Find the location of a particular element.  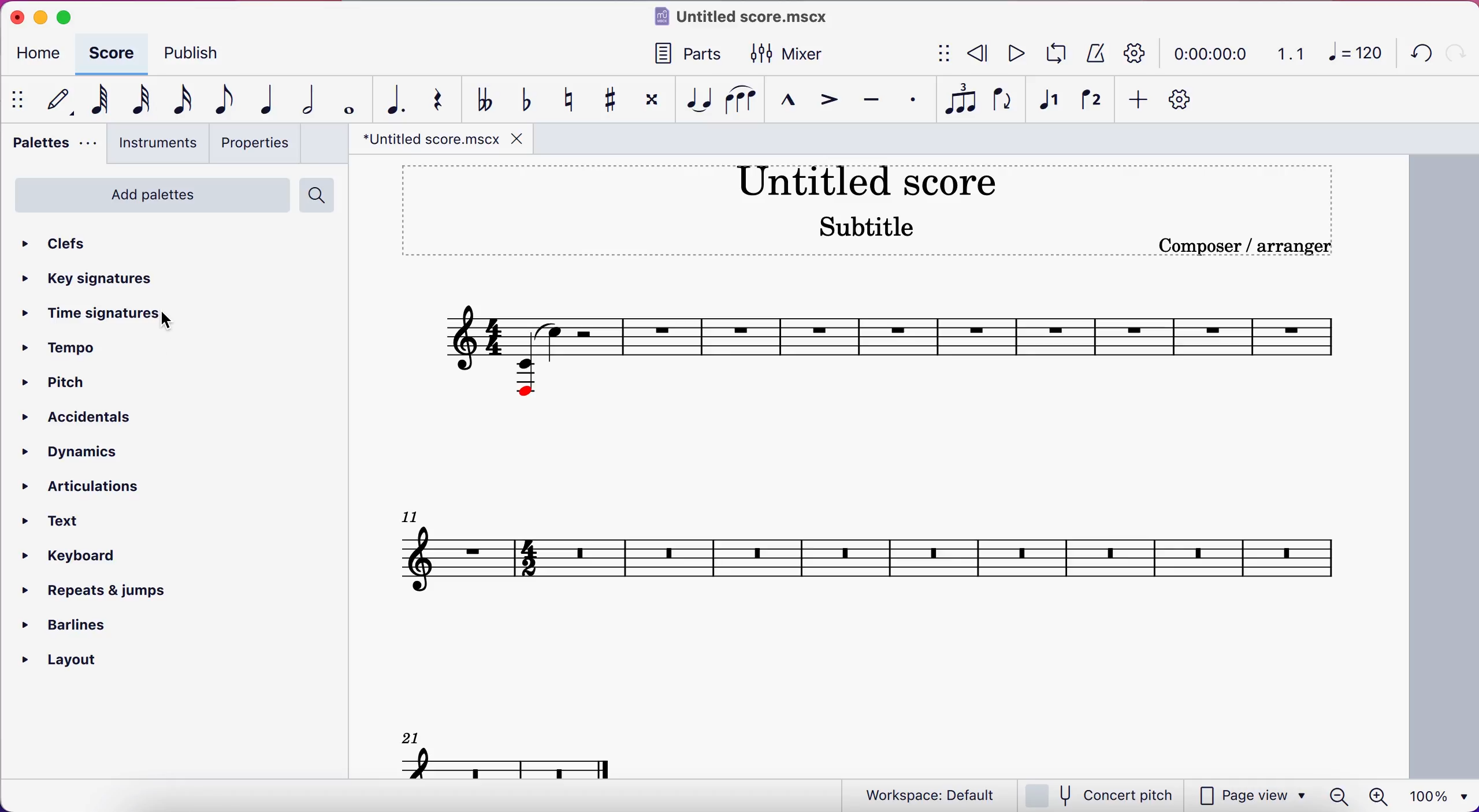

stacato is located at coordinates (909, 100).